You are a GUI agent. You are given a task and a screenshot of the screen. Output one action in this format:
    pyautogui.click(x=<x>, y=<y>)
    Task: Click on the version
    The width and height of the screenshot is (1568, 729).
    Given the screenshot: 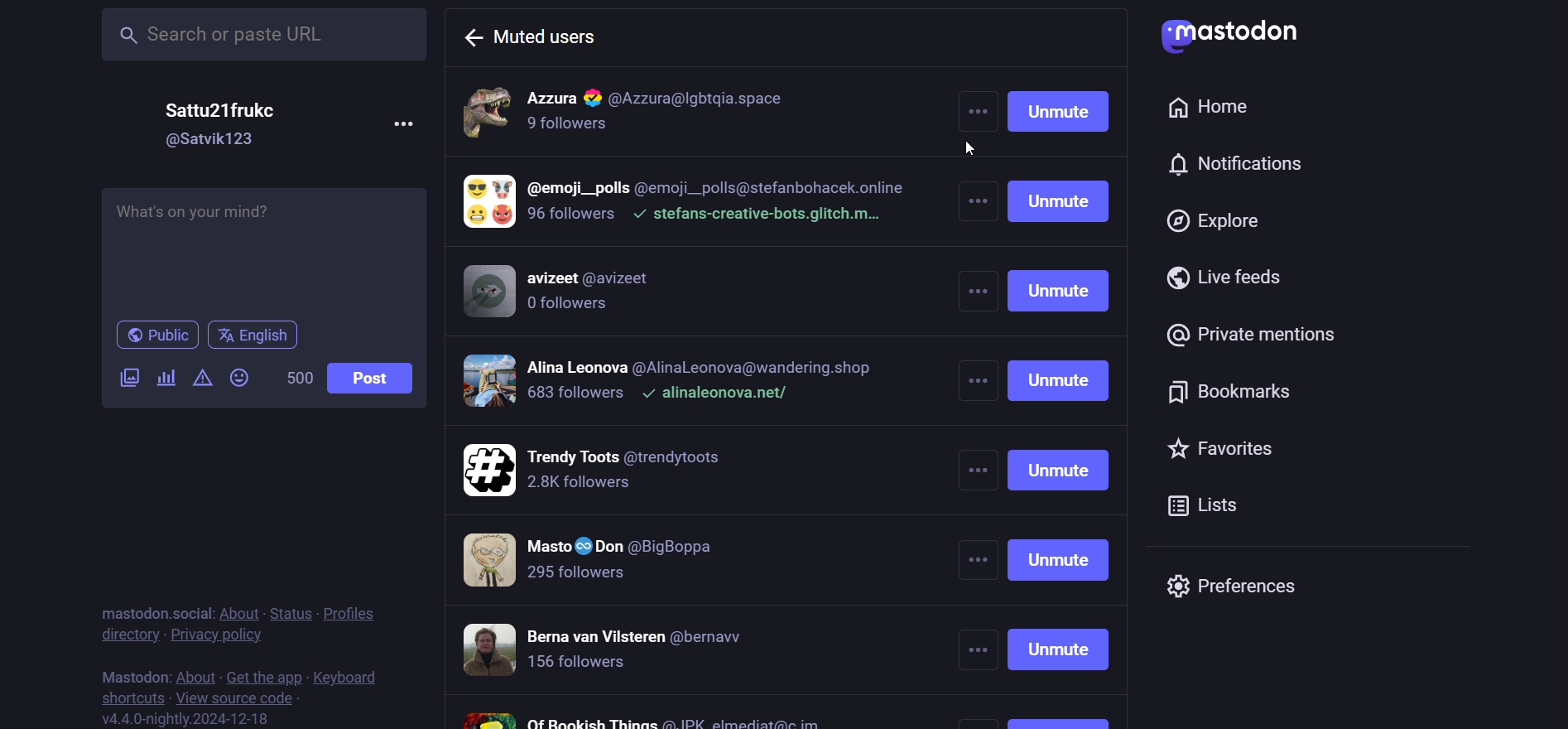 What is the action you would take?
    pyautogui.click(x=185, y=718)
    